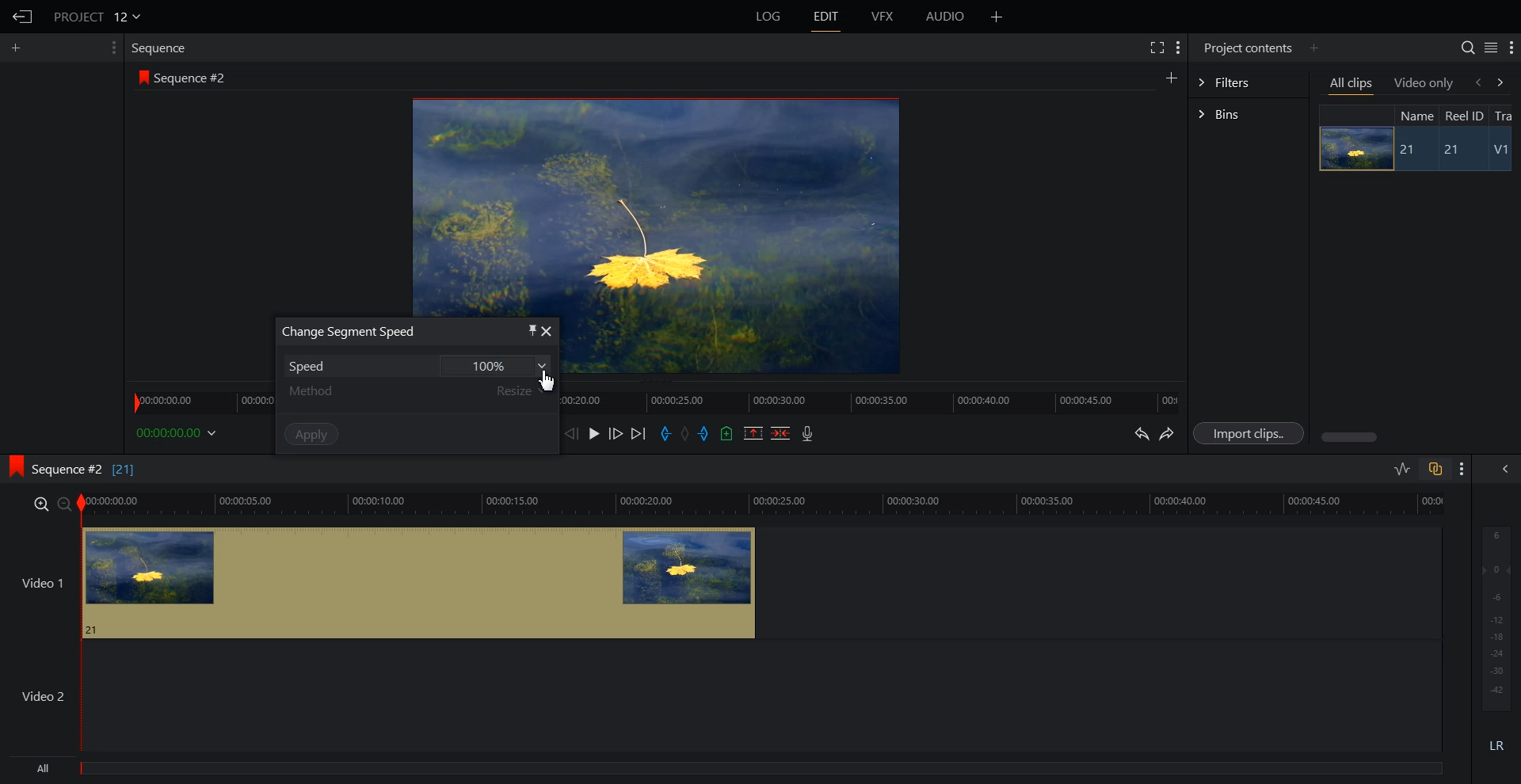 Image resolution: width=1521 pixels, height=784 pixels. I want to click on Clear all marks, so click(686, 434).